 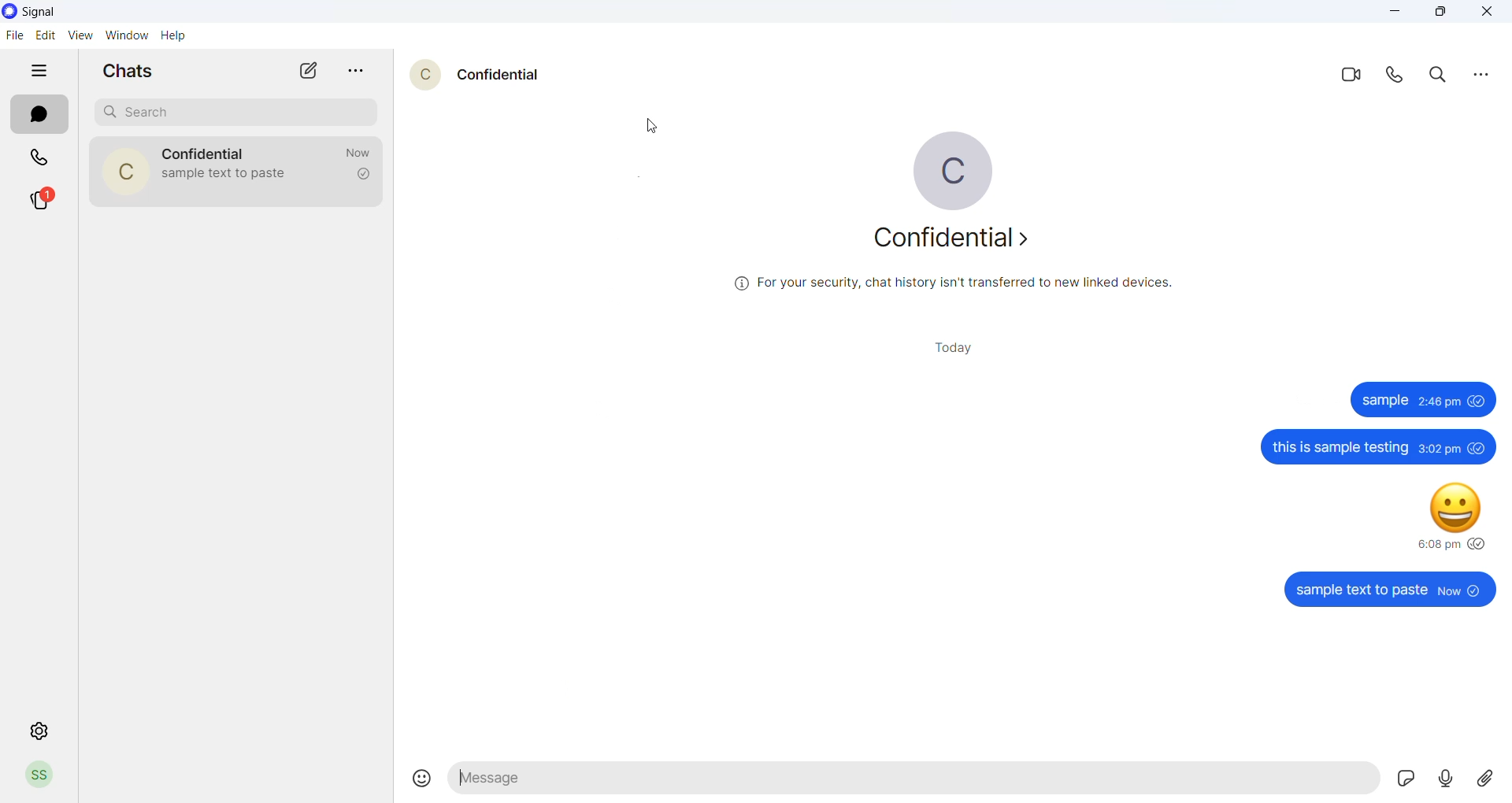 I want to click on calls, so click(x=41, y=160).